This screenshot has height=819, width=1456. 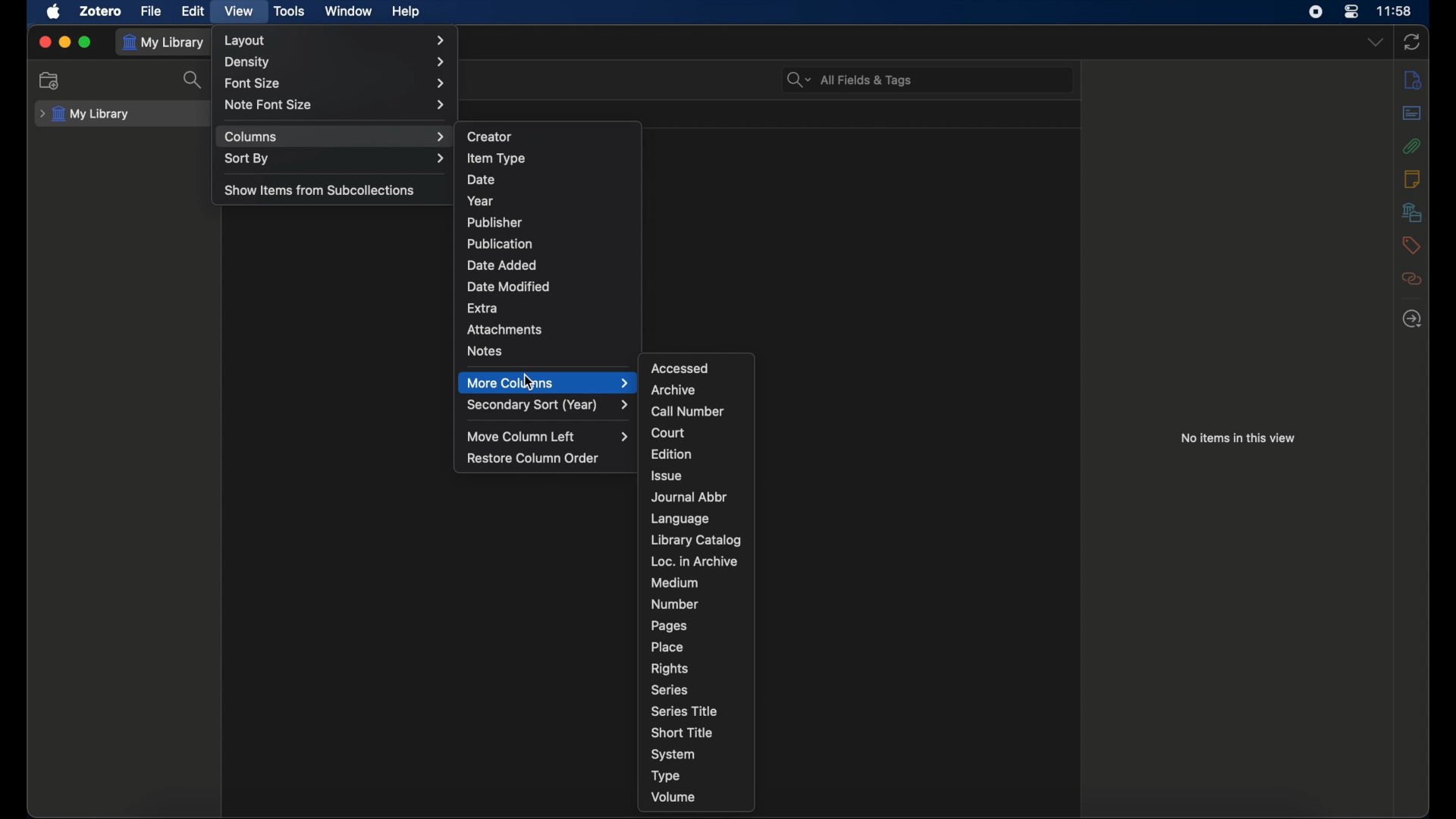 I want to click on language, so click(x=682, y=519).